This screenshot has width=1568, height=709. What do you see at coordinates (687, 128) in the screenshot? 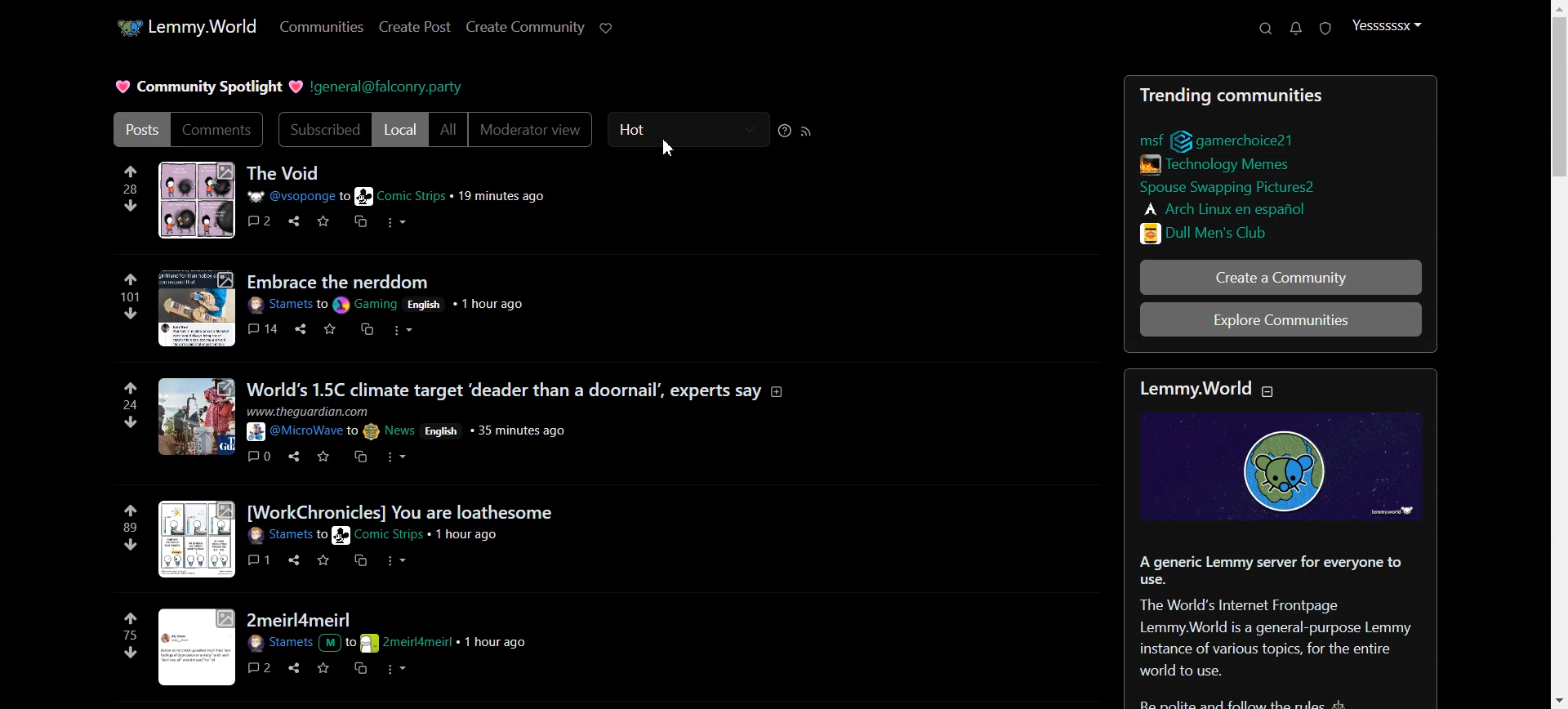
I see `Hot` at bounding box center [687, 128].